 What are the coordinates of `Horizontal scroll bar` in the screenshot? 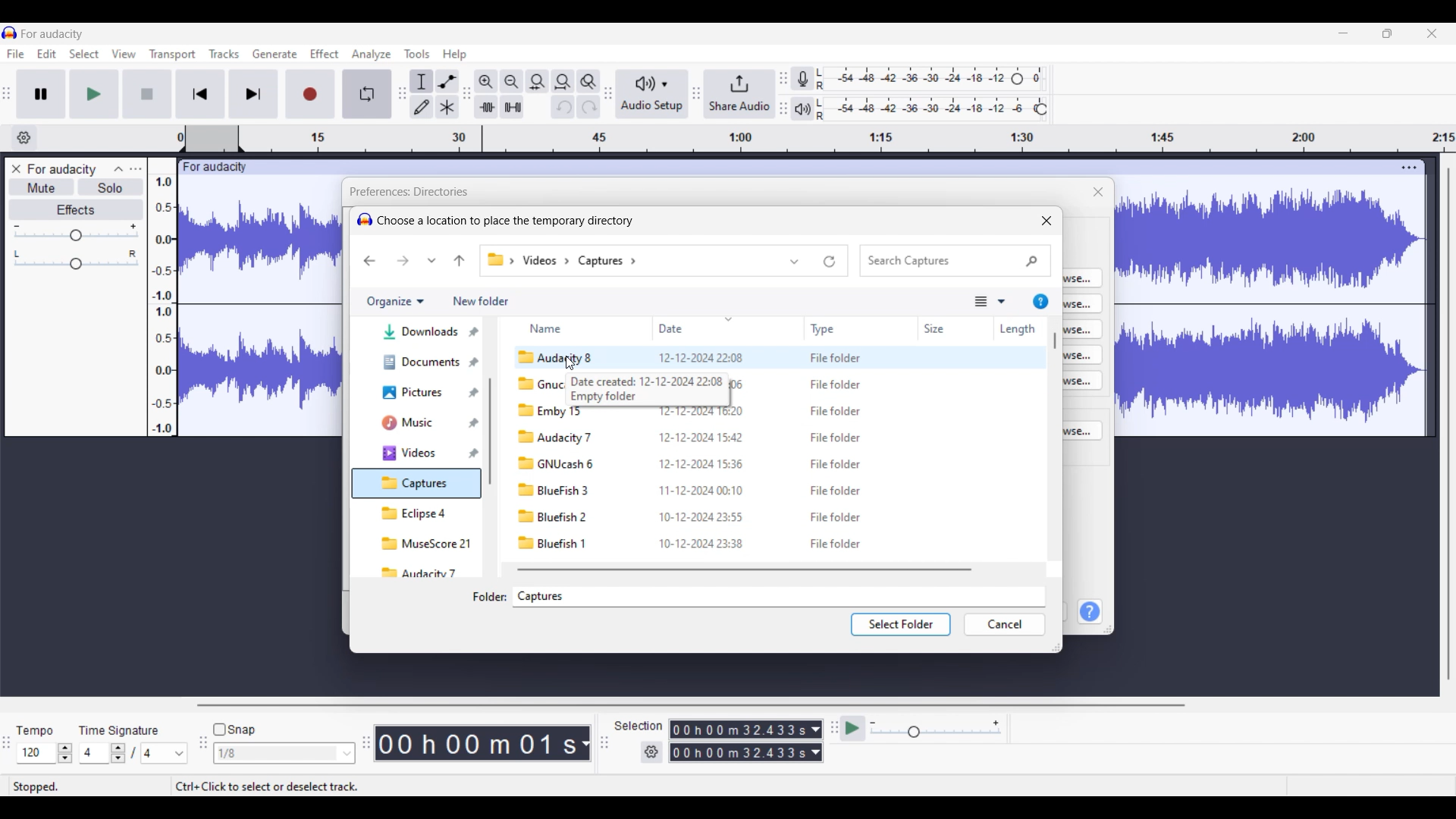 It's located at (743, 570).